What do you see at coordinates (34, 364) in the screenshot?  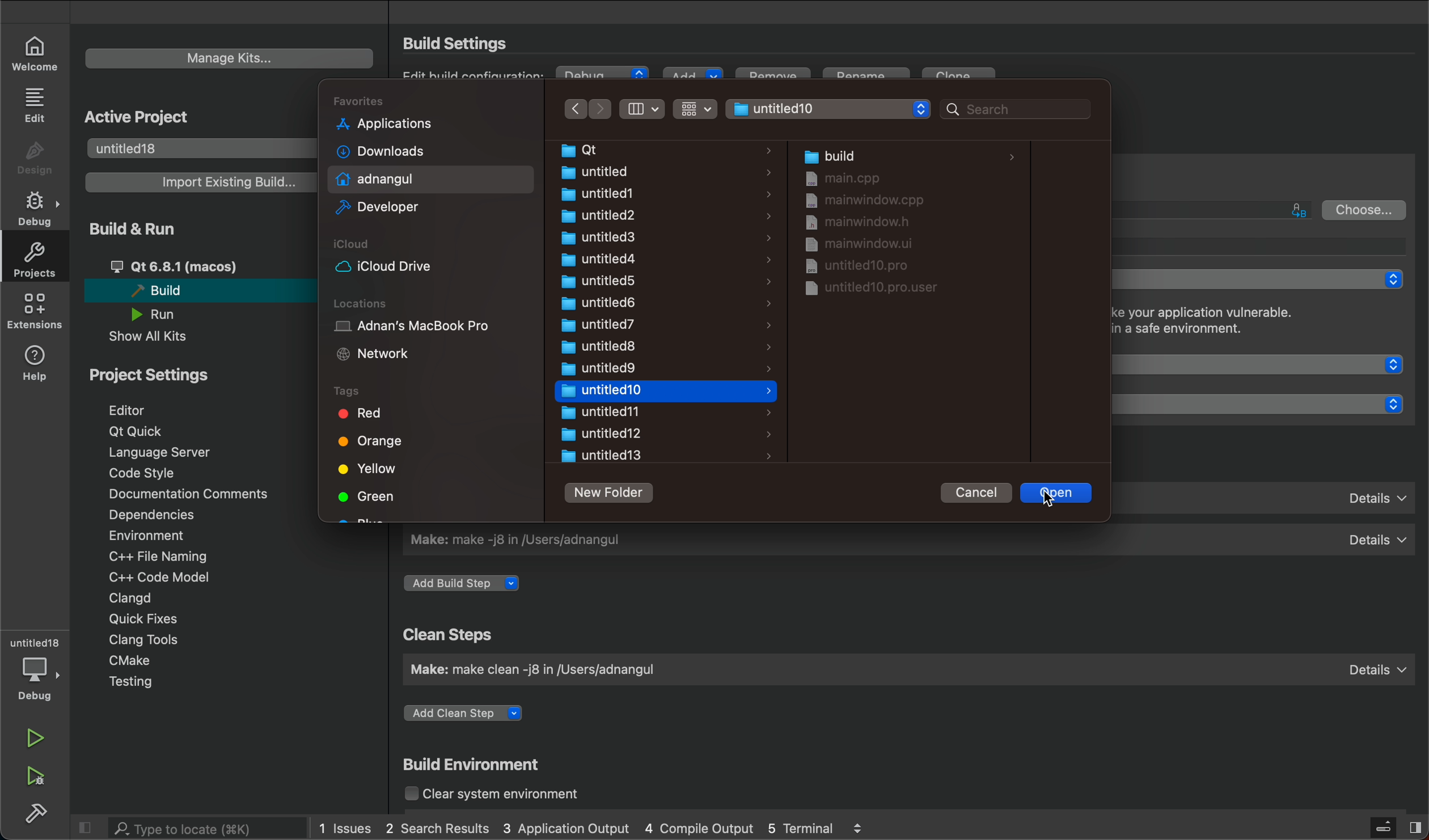 I see `help` at bounding box center [34, 364].